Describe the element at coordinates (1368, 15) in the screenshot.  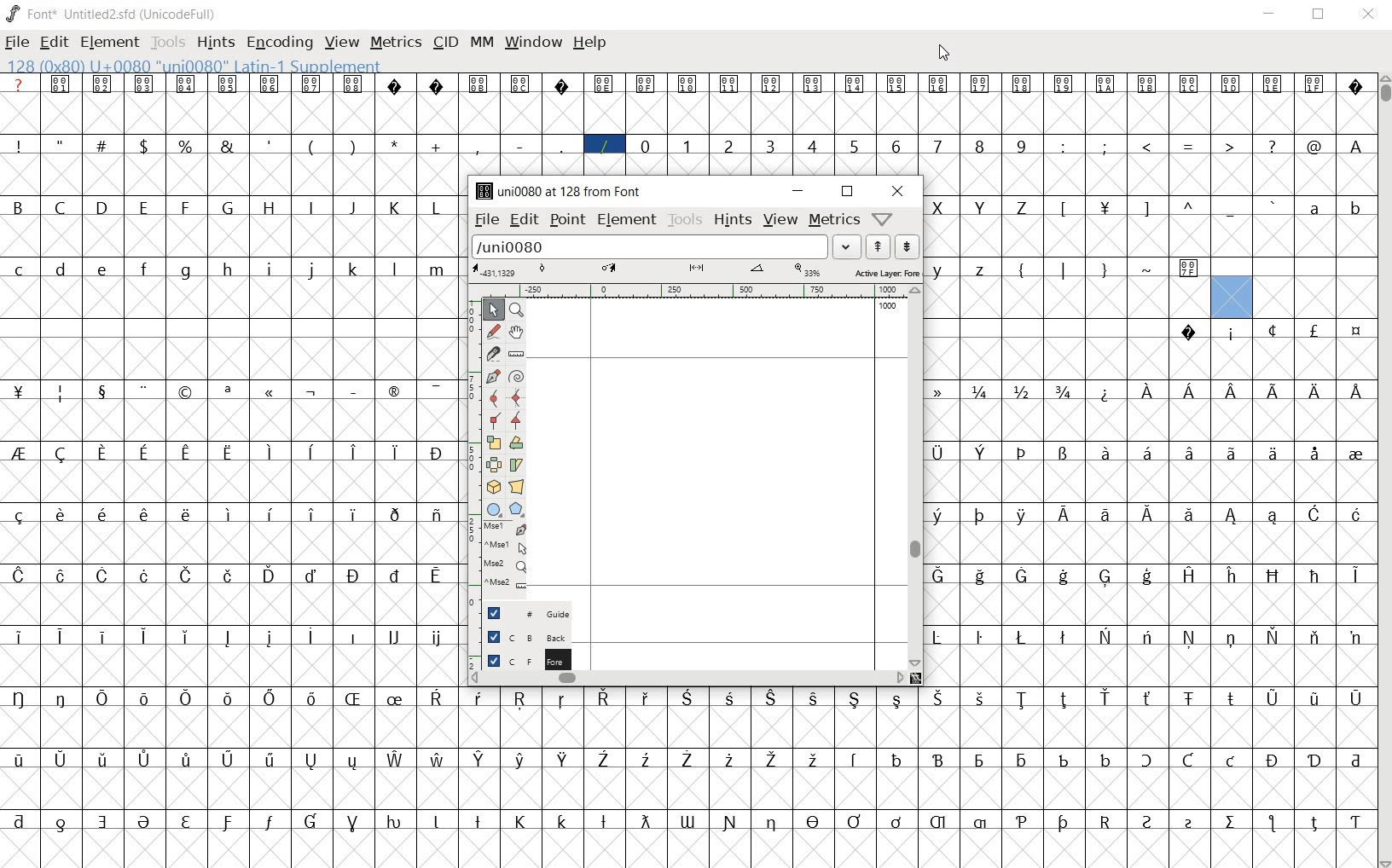
I see `CLOSE` at that location.